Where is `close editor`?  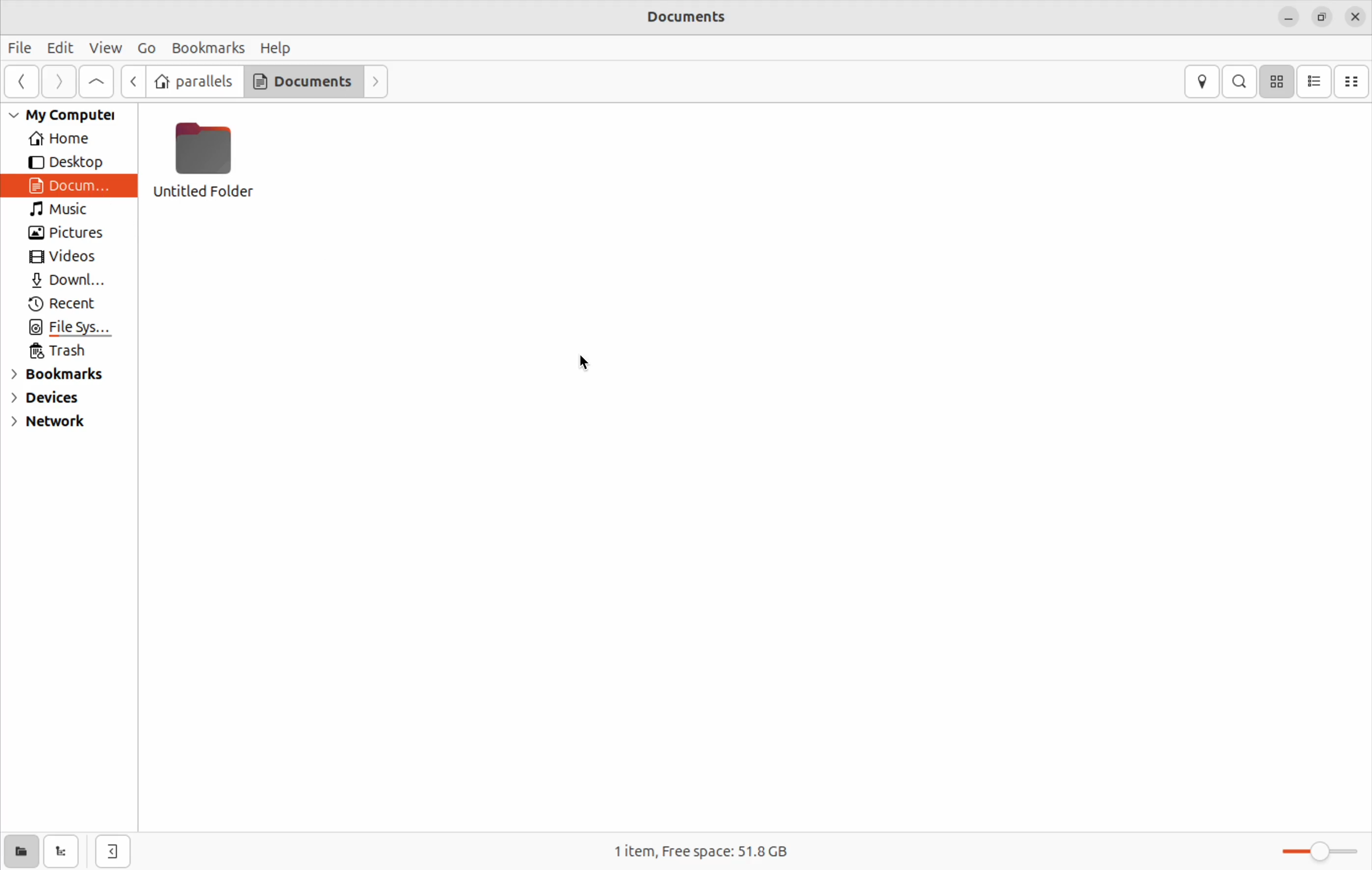 close editor is located at coordinates (112, 852).